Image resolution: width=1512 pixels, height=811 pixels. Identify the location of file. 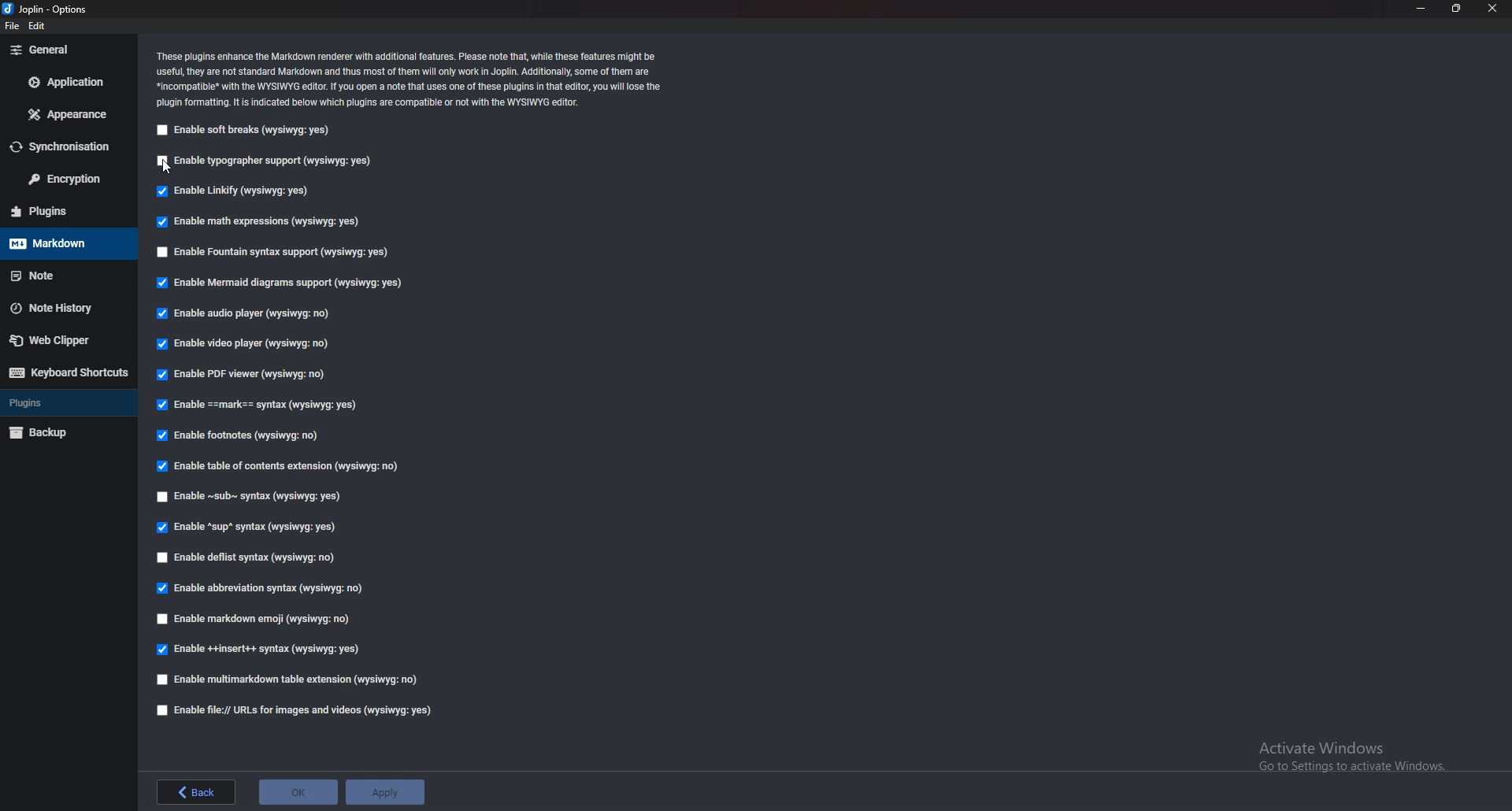
(13, 25).